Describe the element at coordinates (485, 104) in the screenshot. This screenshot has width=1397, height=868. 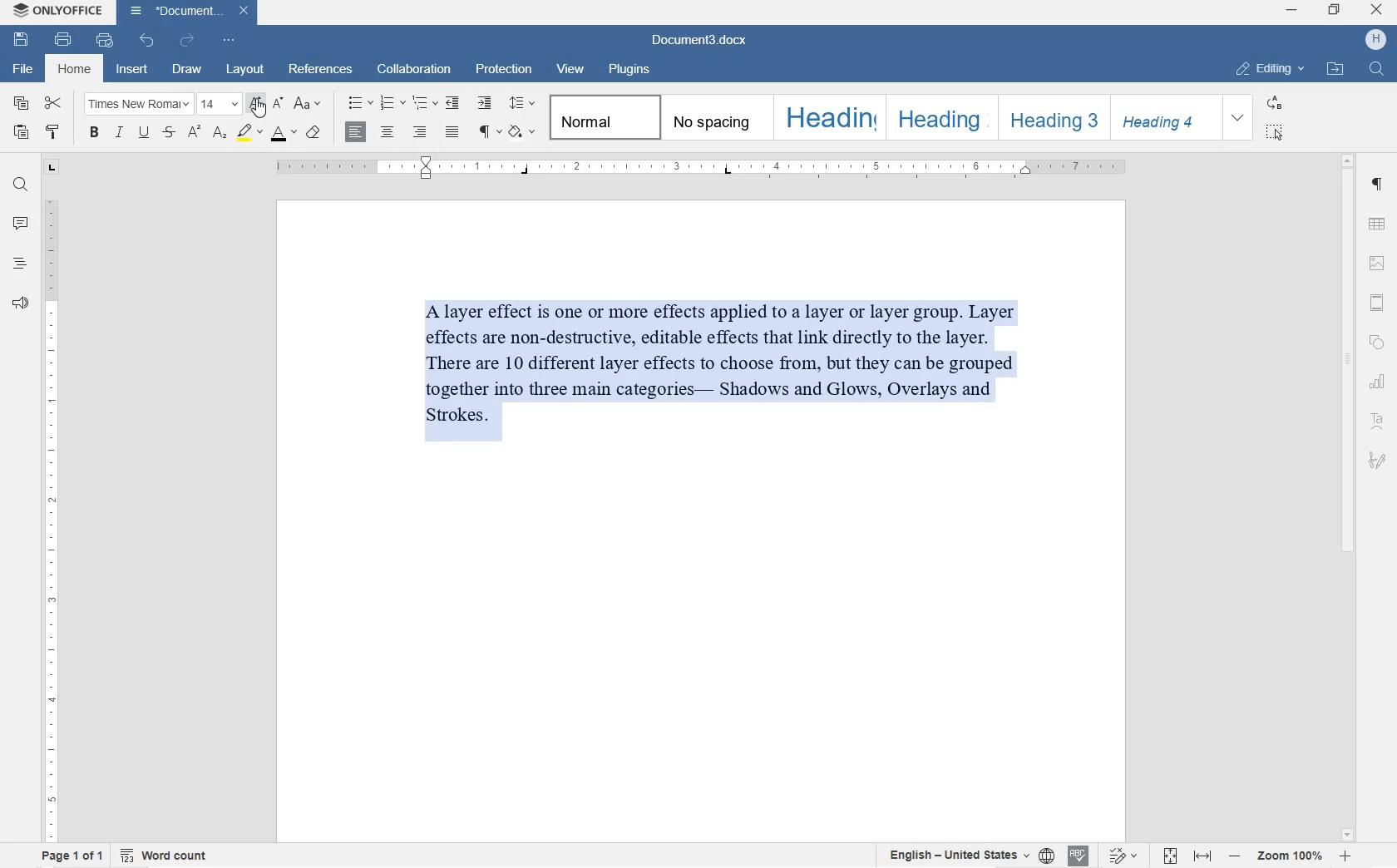
I see `INCREASE INDENT` at that location.